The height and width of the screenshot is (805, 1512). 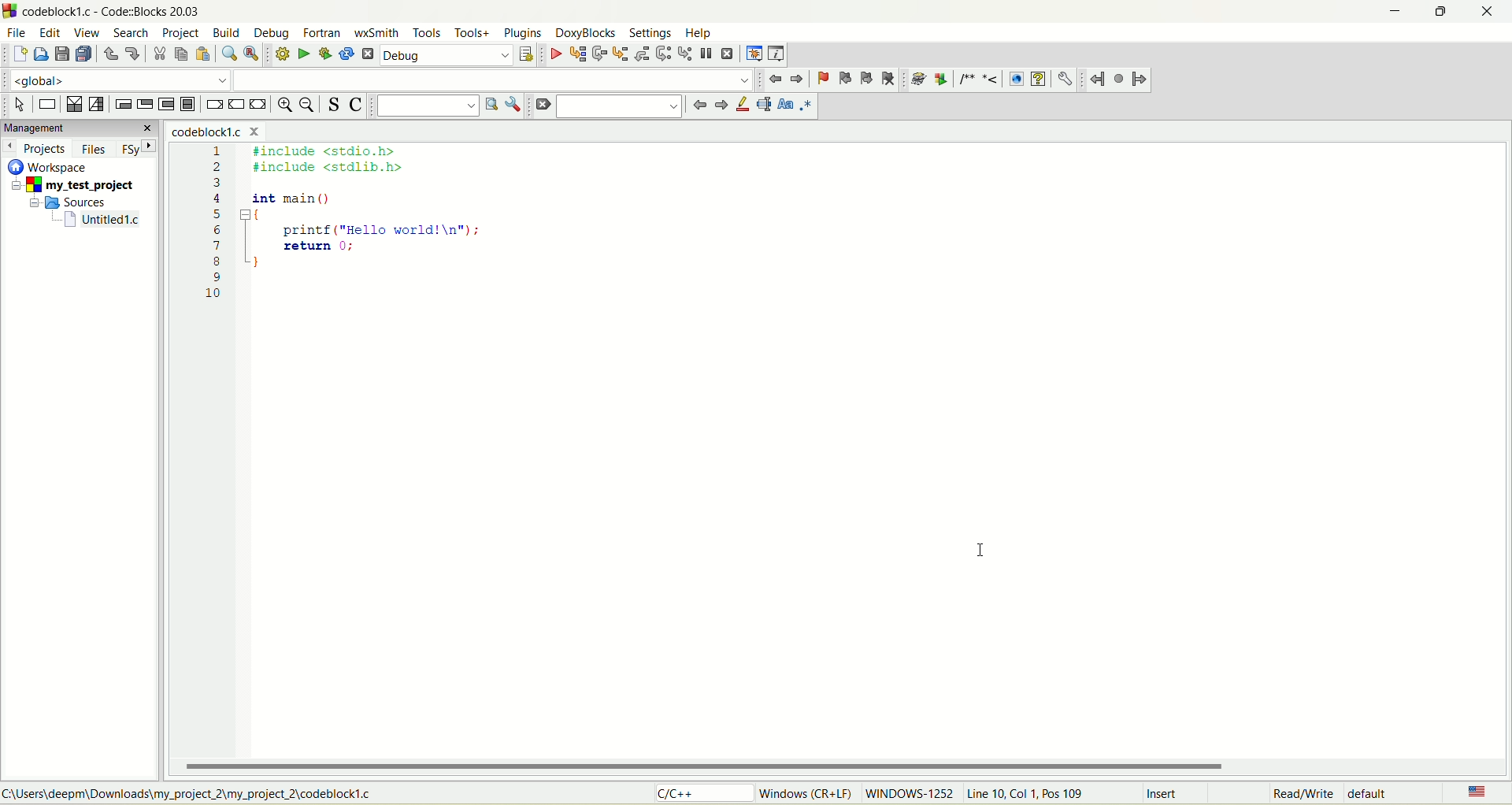 What do you see at coordinates (809, 792) in the screenshot?
I see `windows` at bounding box center [809, 792].